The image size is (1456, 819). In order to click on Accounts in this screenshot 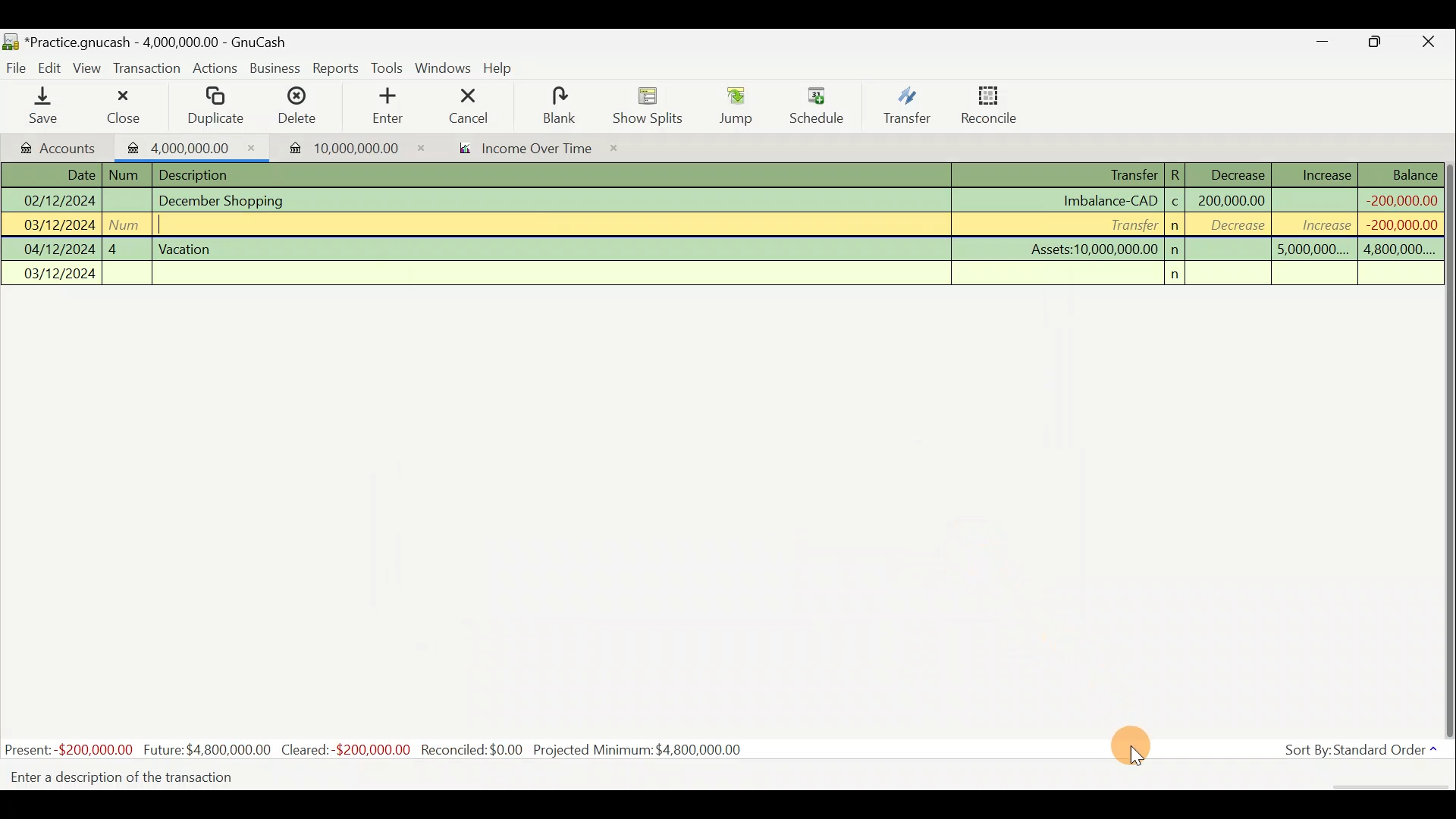, I will do `click(53, 145)`.